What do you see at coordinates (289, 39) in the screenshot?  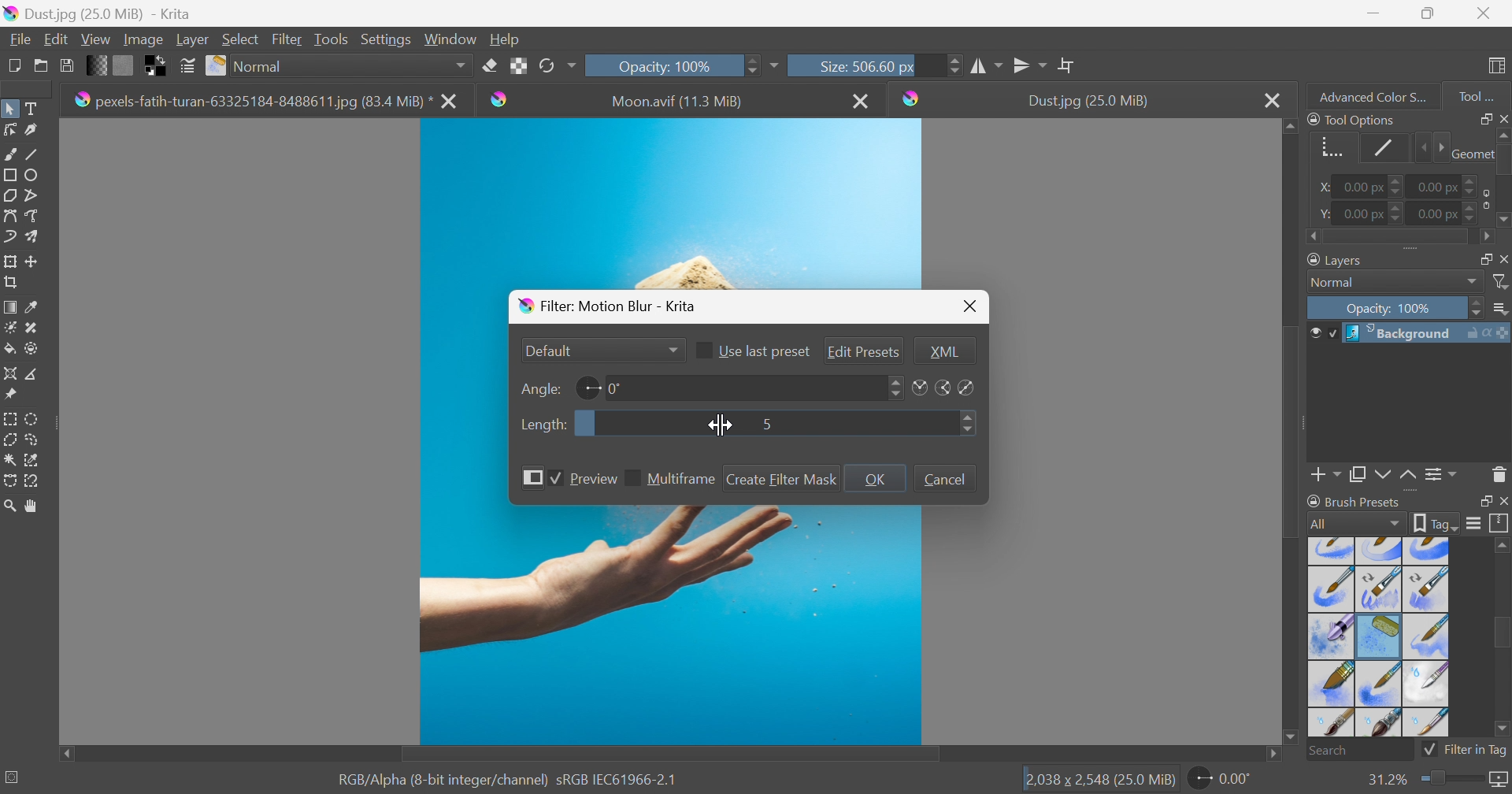 I see `Filter` at bounding box center [289, 39].